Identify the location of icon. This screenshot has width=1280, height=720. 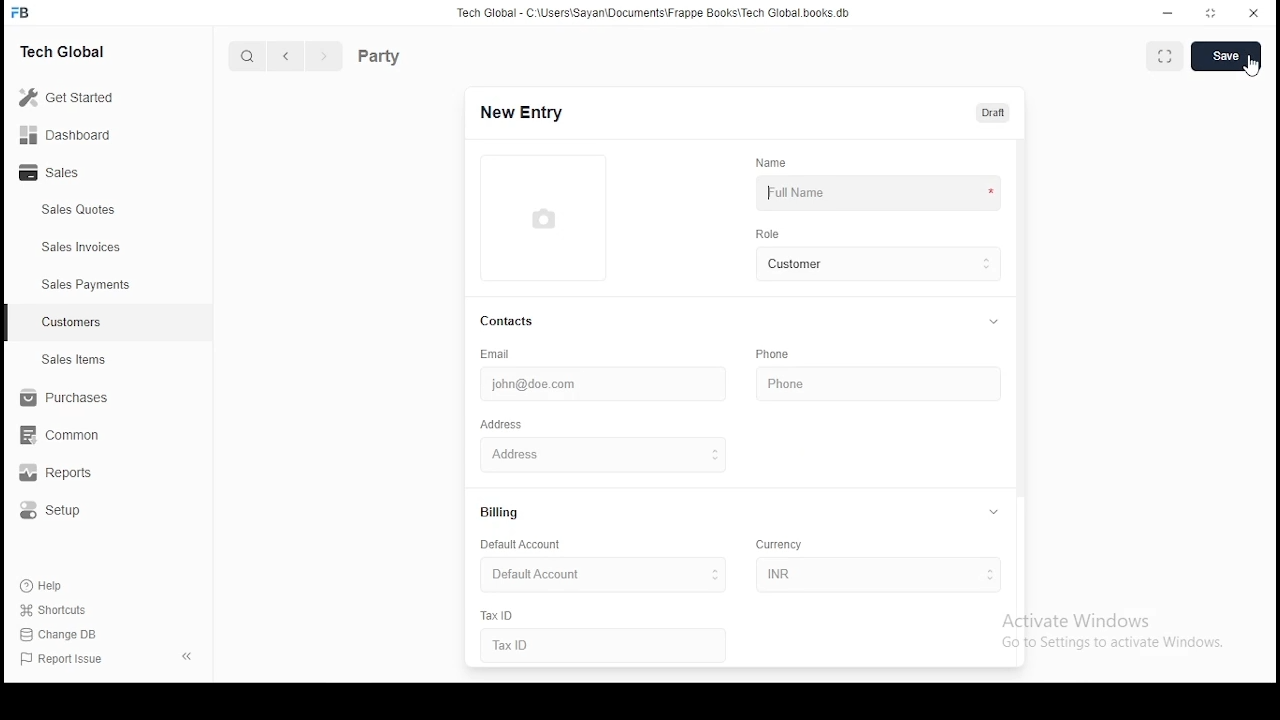
(23, 12).